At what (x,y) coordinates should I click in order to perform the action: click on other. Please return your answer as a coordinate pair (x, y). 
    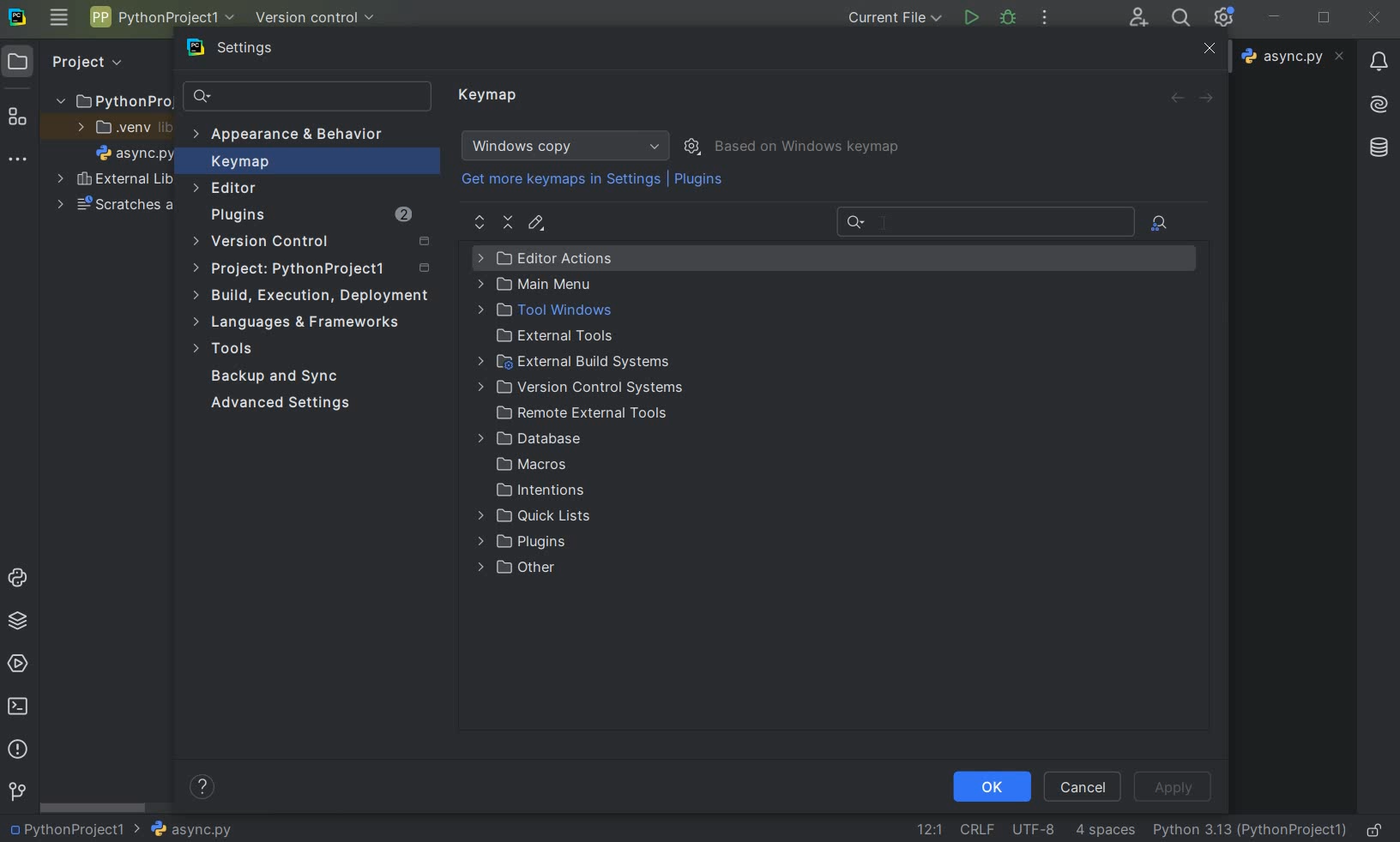
    Looking at the image, I should click on (511, 572).